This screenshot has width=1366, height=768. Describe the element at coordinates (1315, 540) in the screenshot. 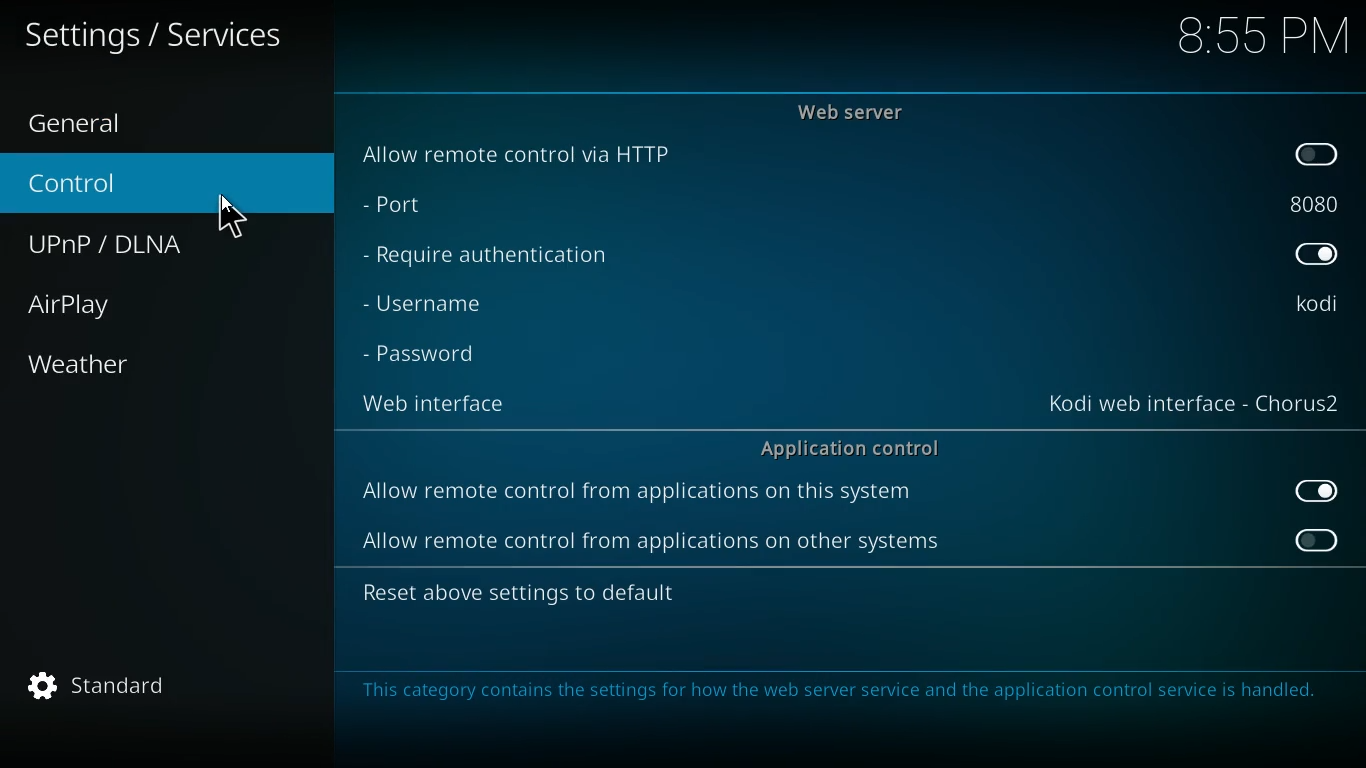

I see `off` at that location.